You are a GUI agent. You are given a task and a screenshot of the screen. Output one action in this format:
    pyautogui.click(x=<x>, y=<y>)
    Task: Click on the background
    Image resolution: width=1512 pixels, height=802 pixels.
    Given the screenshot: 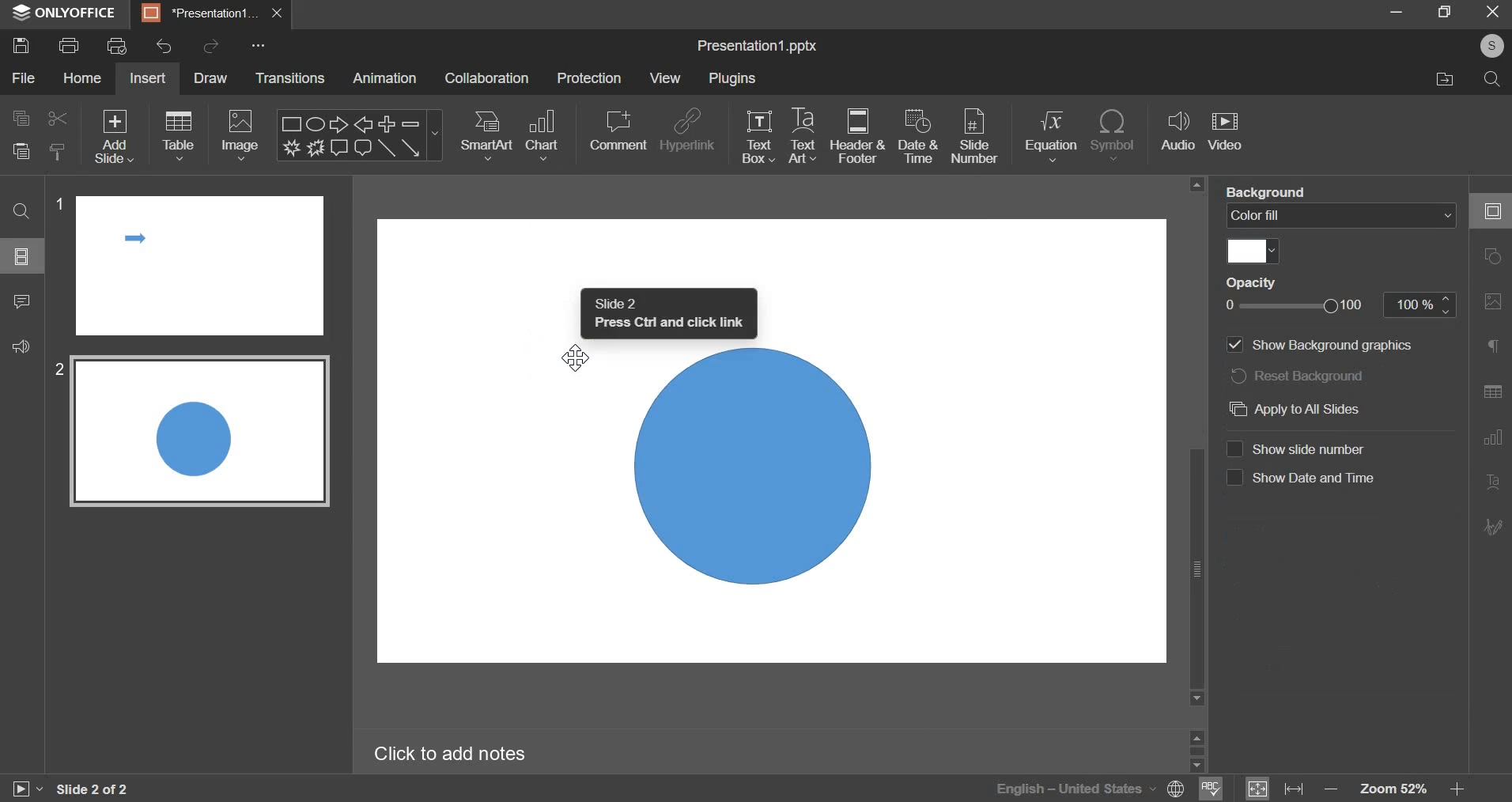 What is the action you would take?
    pyautogui.click(x=1270, y=191)
    